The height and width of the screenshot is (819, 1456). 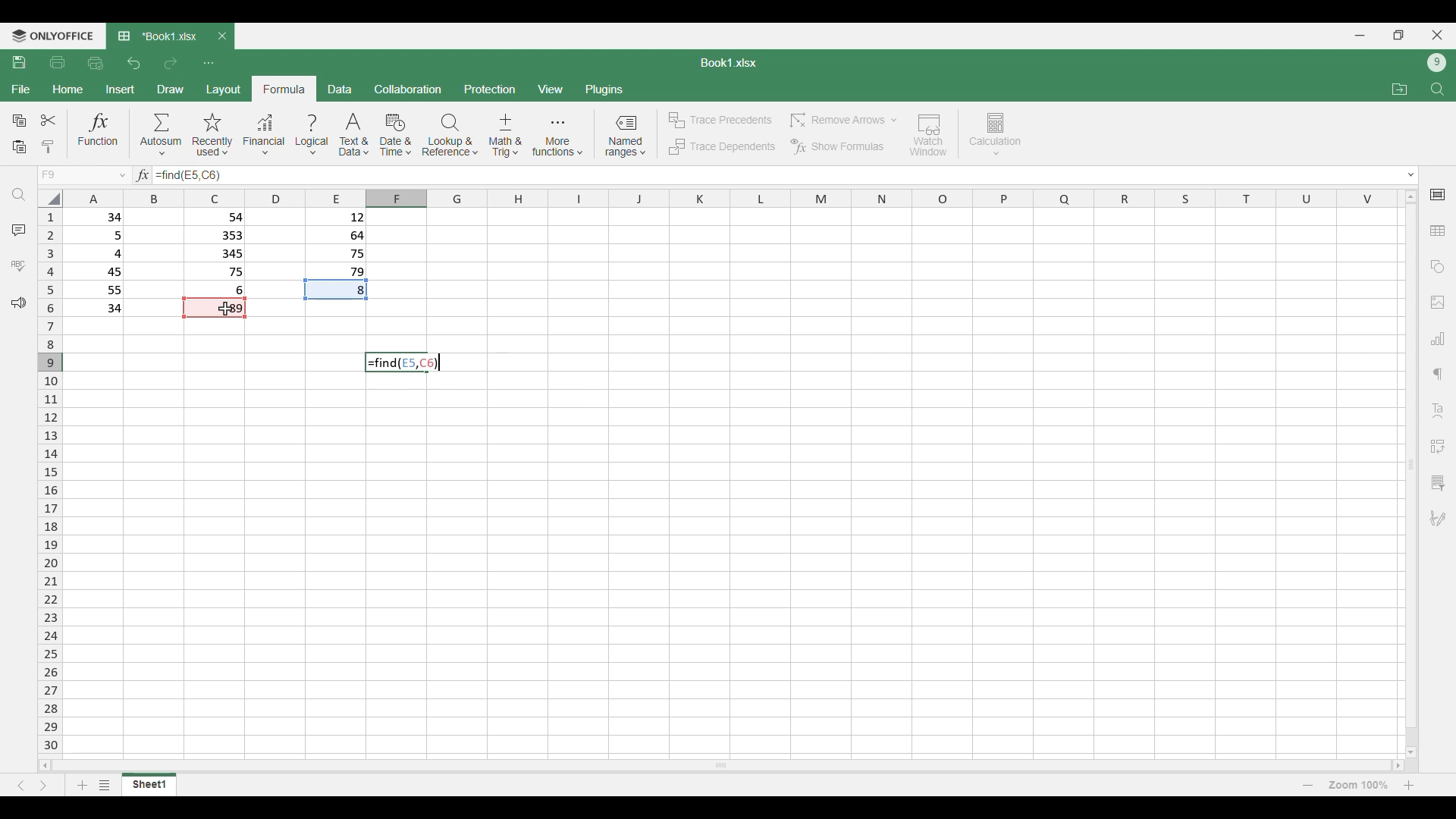 I want to click on Draw menu, so click(x=170, y=89).